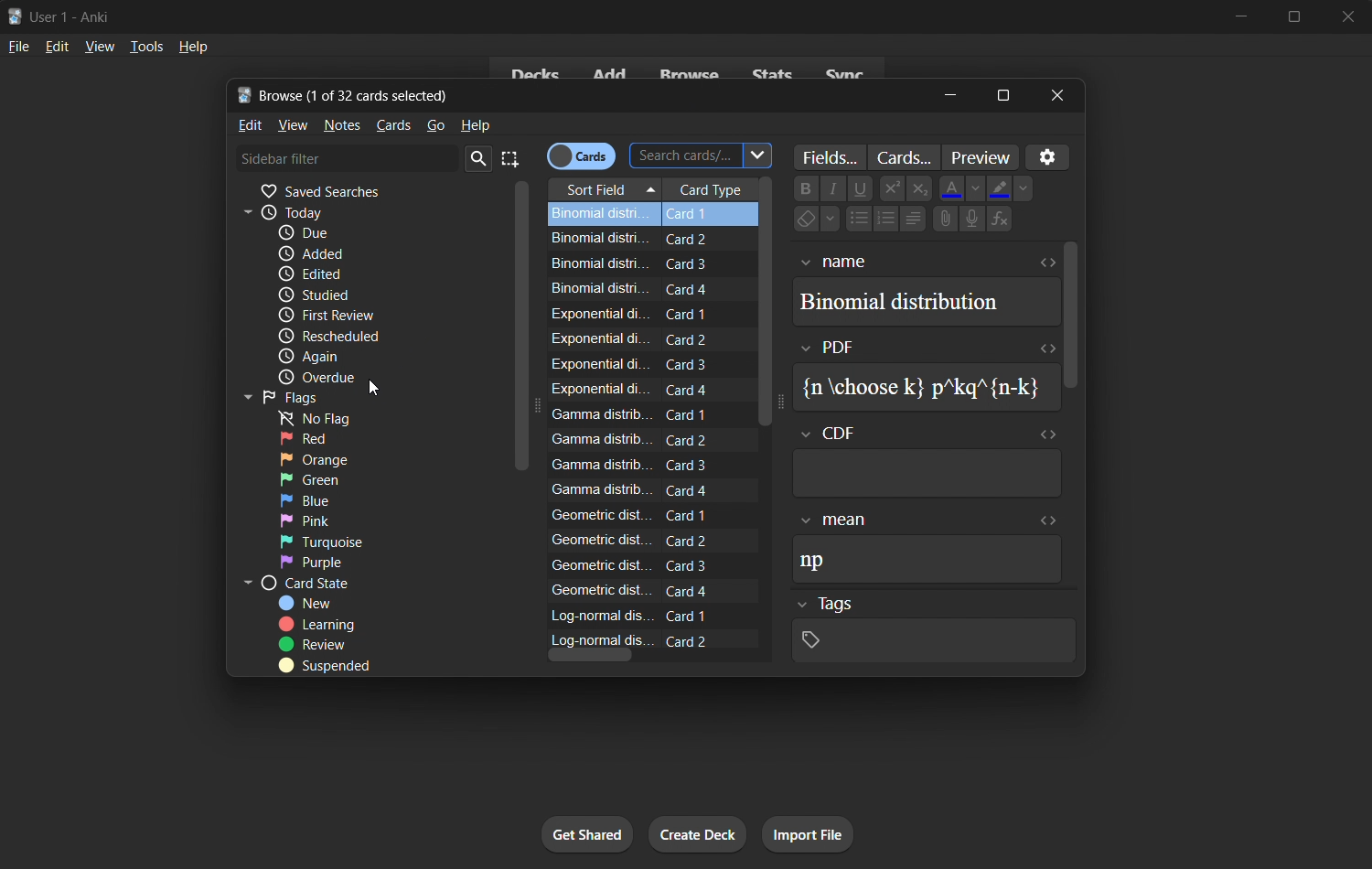  What do you see at coordinates (602, 512) in the screenshot?
I see `Geometric dist.` at bounding box center [602, 512].